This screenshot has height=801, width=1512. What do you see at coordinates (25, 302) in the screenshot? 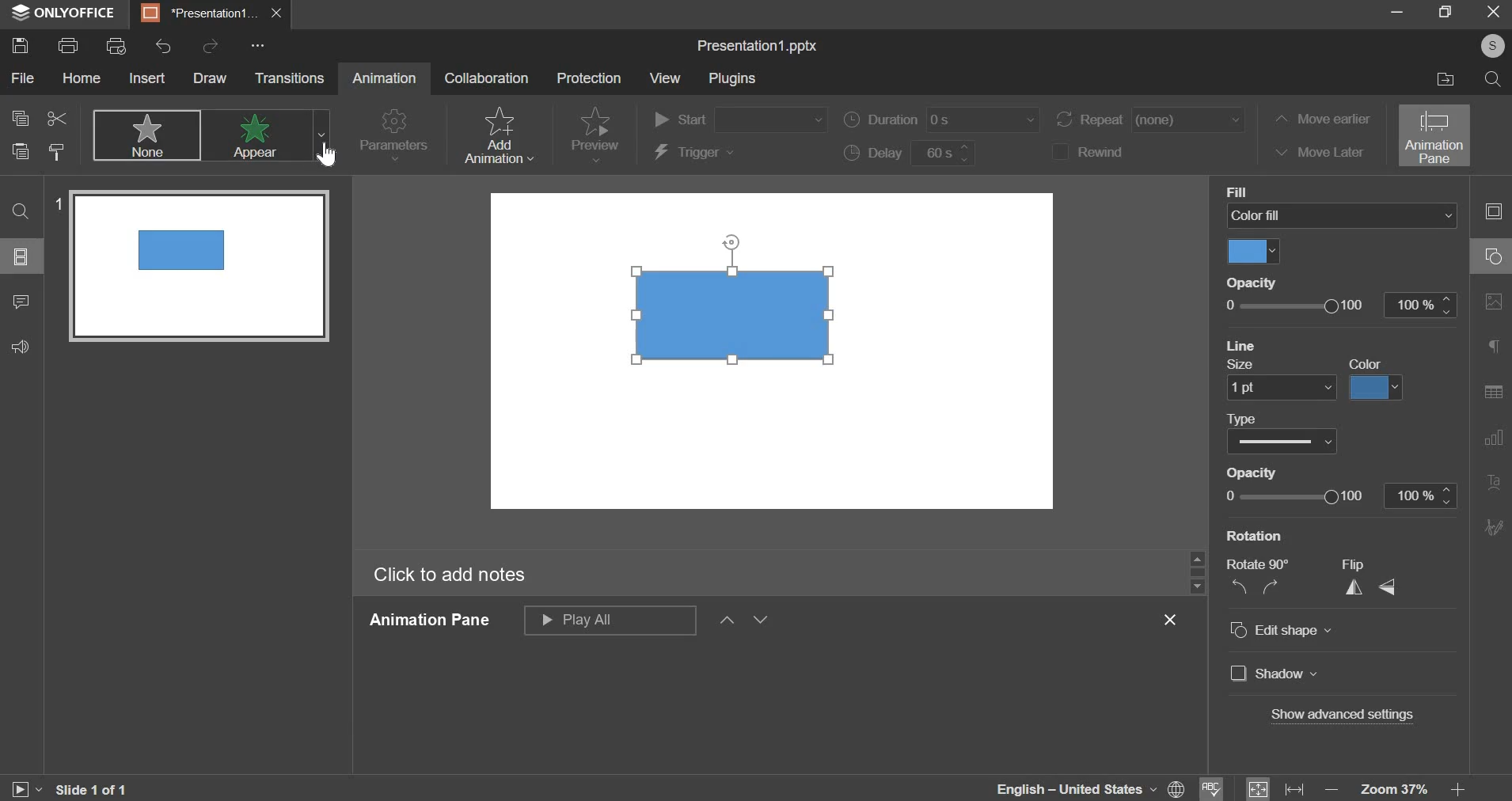
I see `comments` at bounding box center [25, 302].